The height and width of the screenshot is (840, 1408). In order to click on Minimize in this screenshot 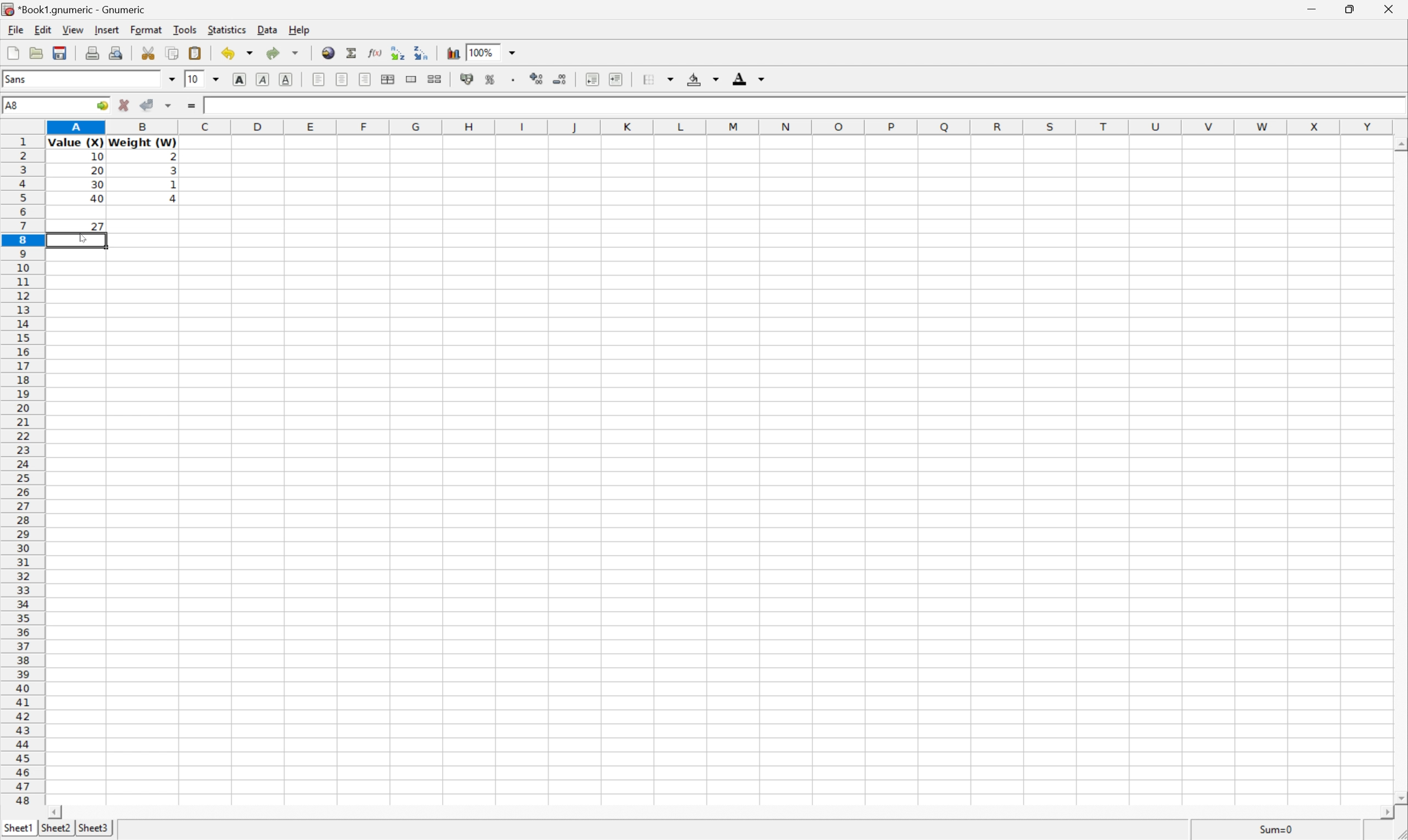, I will do `click(1311, 8)`.